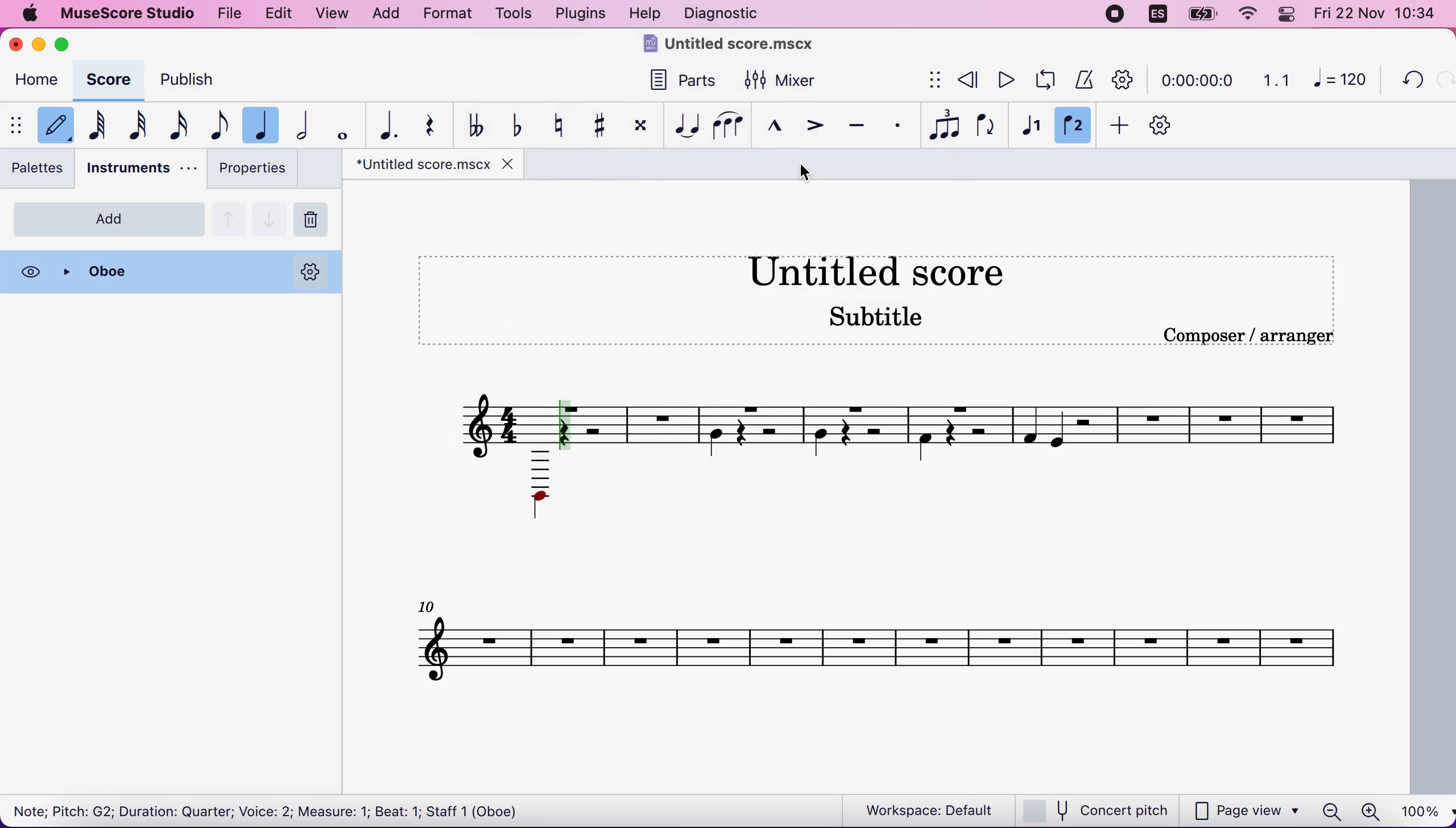  Describe the element at coordinates (1127, 77) in the screenshot. I see `playback tool` at that location.